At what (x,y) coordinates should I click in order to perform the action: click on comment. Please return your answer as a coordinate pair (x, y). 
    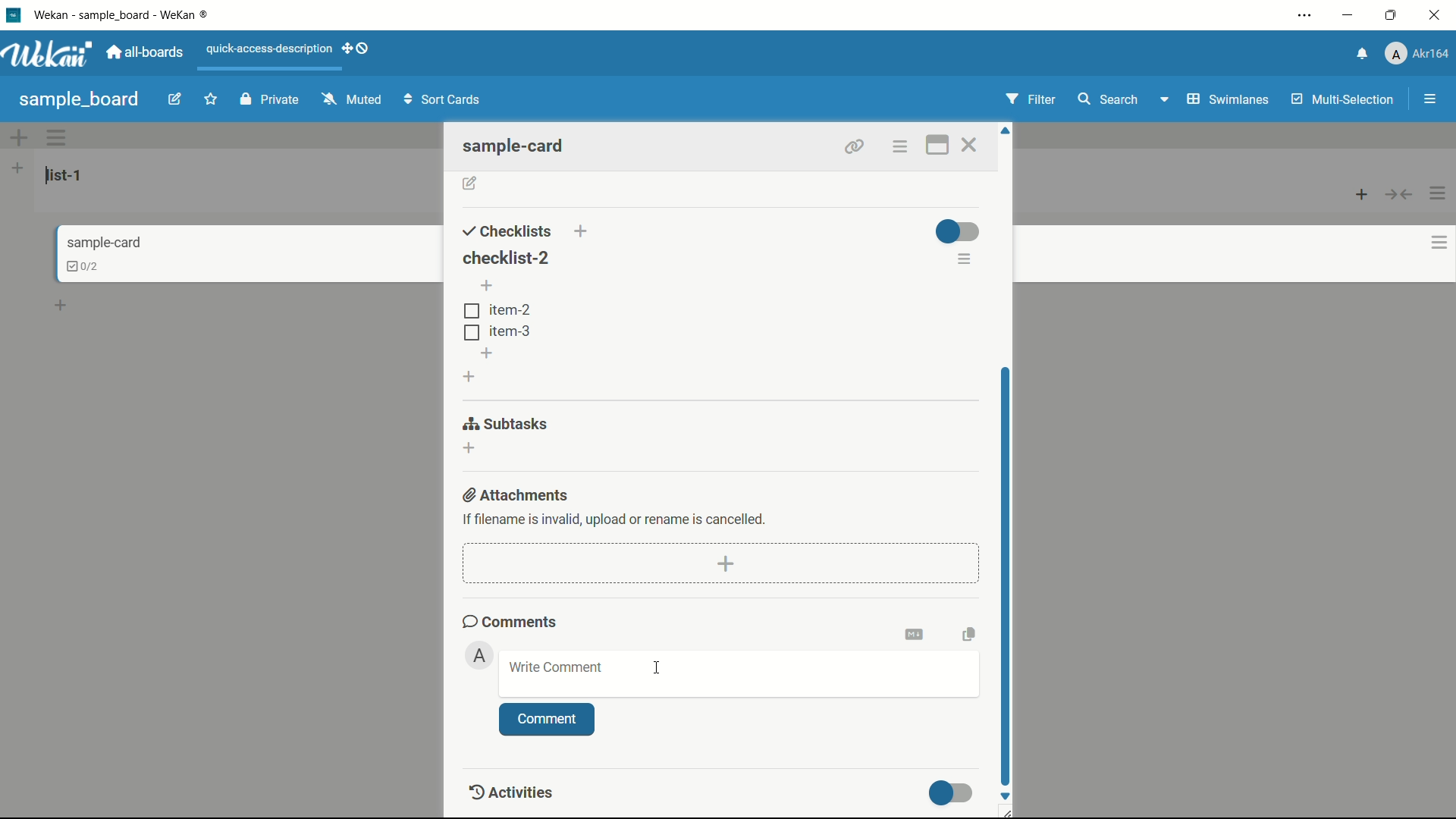
    Looking at the image, I should click on (547, 720).